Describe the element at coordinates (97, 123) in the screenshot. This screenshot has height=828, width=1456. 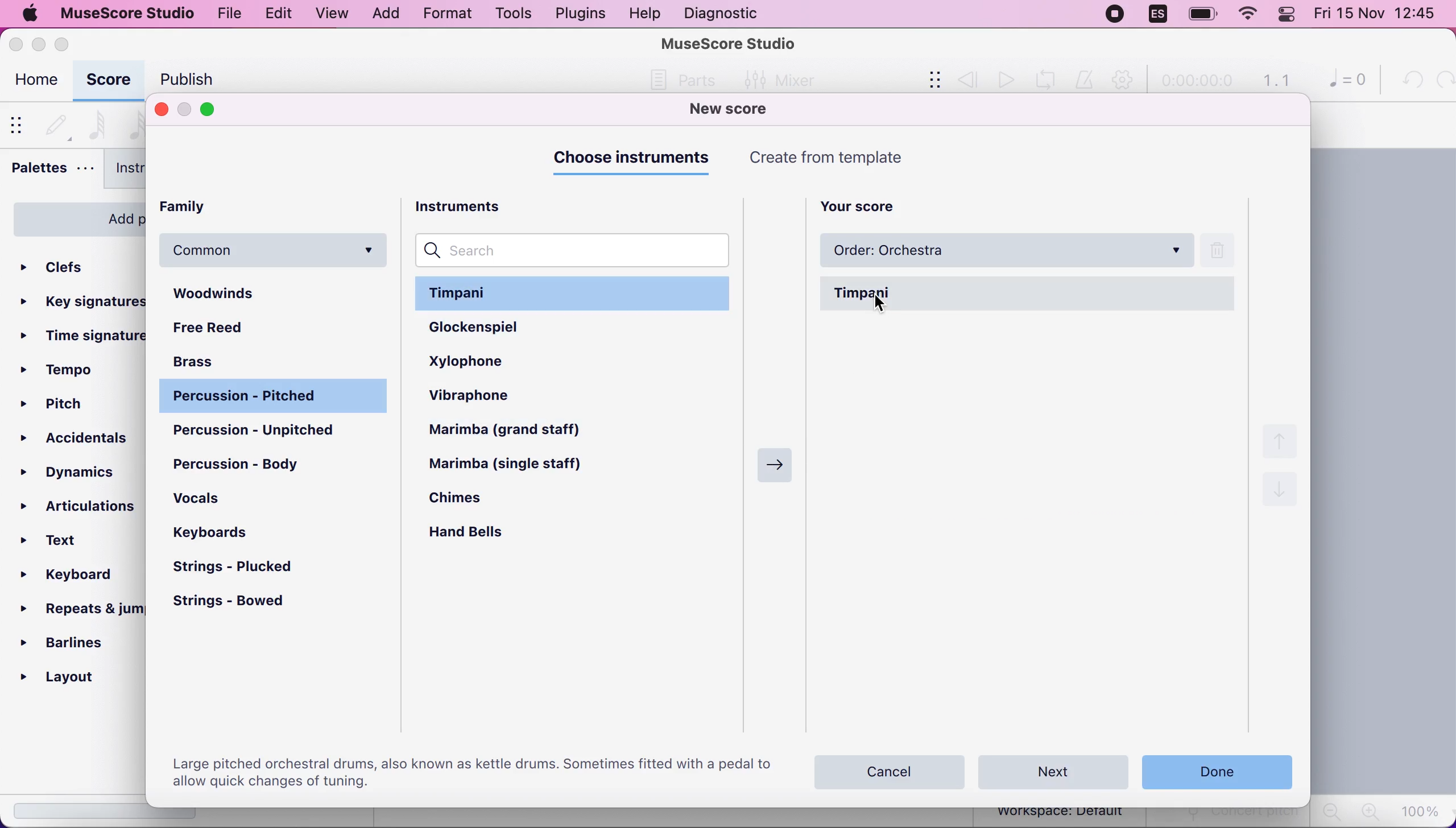
I see `64th note` at that location.